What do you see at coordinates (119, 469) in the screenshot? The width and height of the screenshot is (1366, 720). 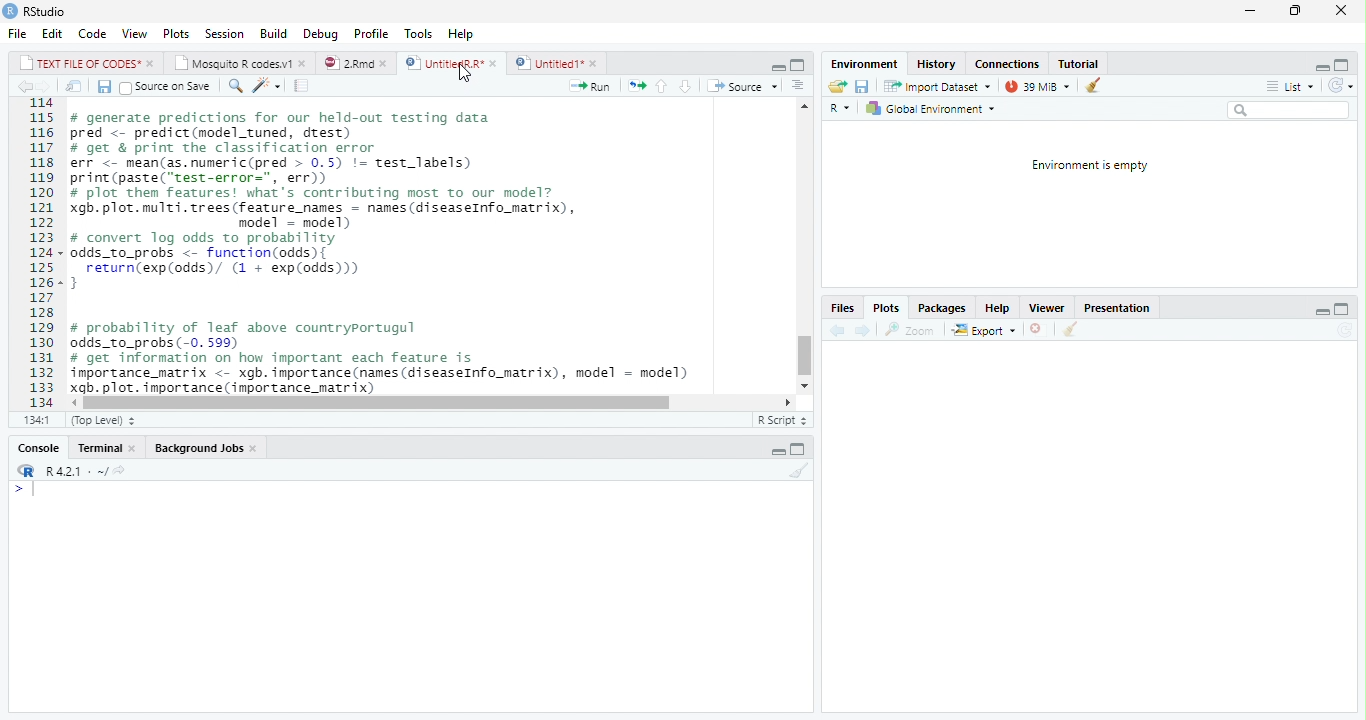 I see `Show directory` at bounding box center [119, 469].